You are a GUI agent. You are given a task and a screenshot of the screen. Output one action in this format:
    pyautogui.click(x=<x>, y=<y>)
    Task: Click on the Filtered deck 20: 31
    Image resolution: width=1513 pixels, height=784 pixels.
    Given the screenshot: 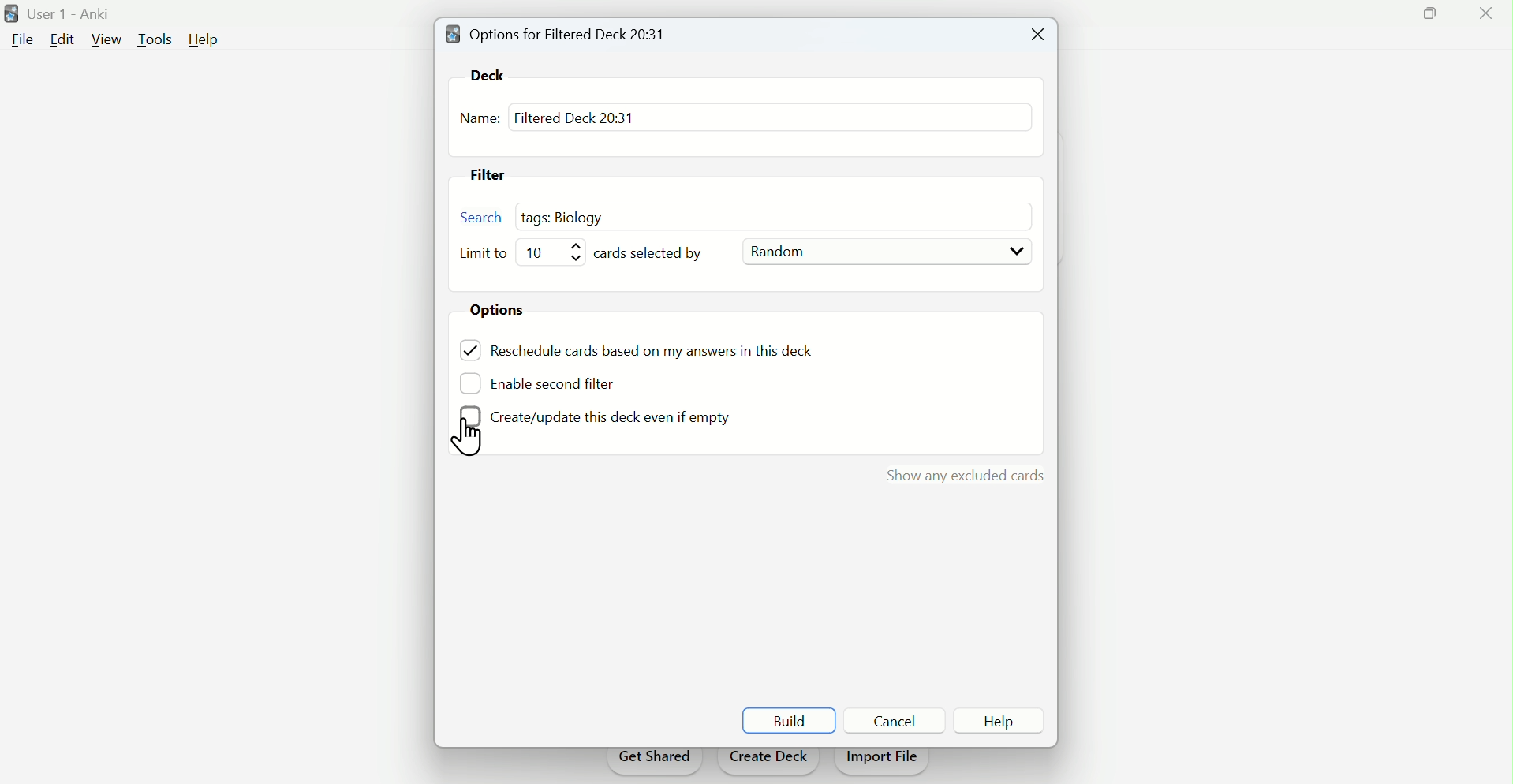 What is the action you would take?
    pyautogui.click(x=573, y=117)
    